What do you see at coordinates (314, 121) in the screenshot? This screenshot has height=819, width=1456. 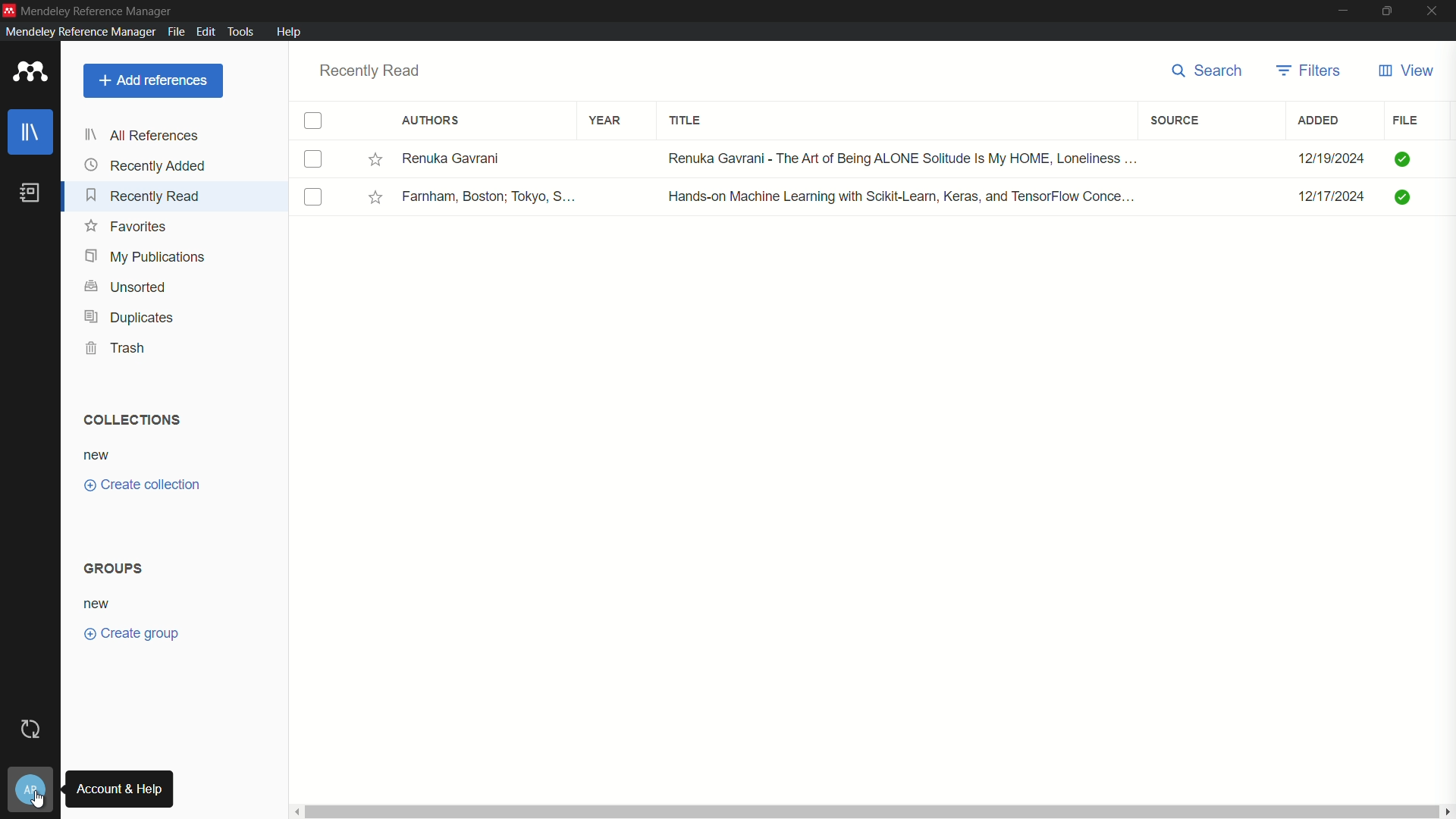 I see `check box` at bounding box center [314, 121].